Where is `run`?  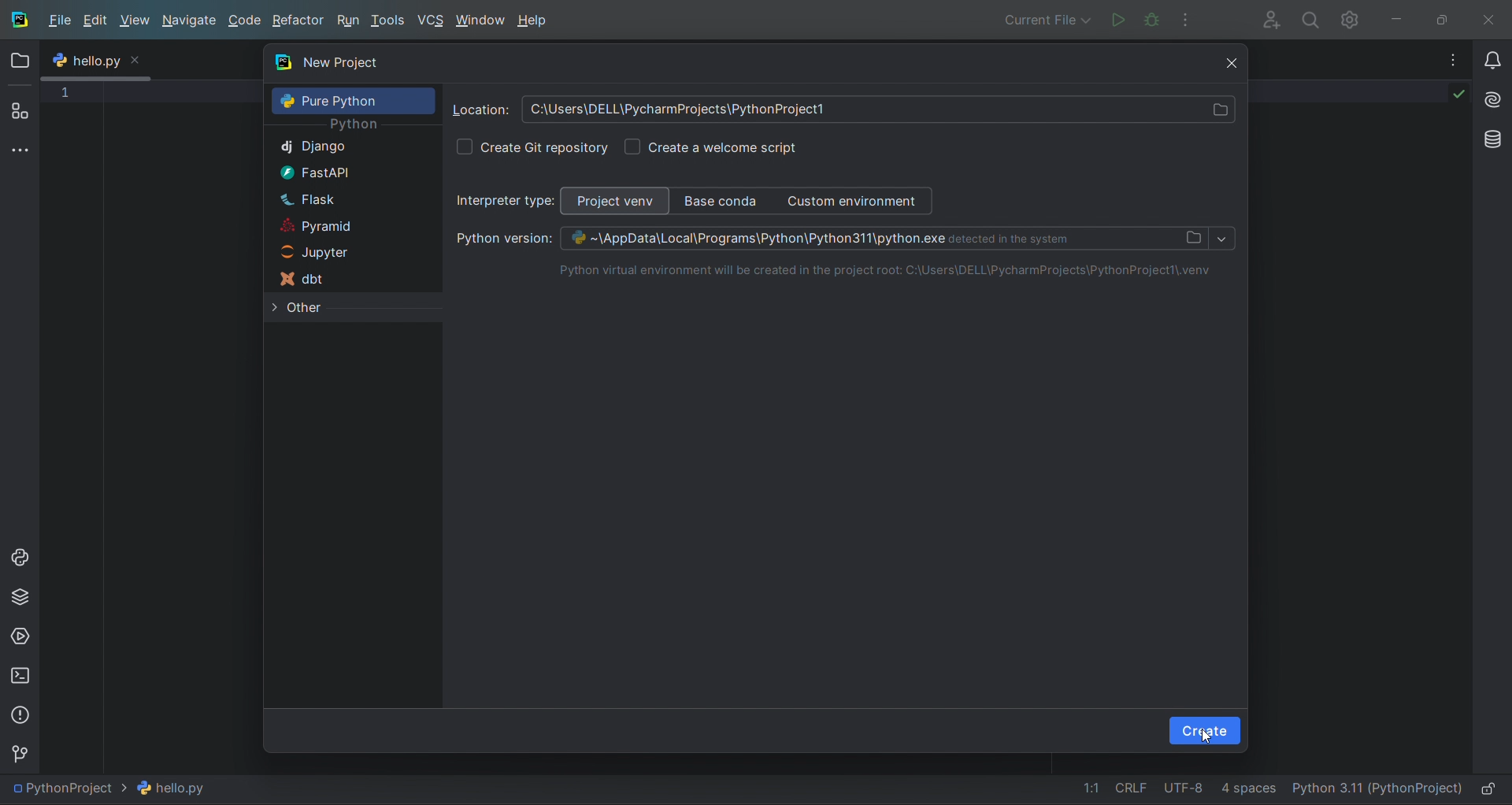 run is located at coordinates (1114, 18).